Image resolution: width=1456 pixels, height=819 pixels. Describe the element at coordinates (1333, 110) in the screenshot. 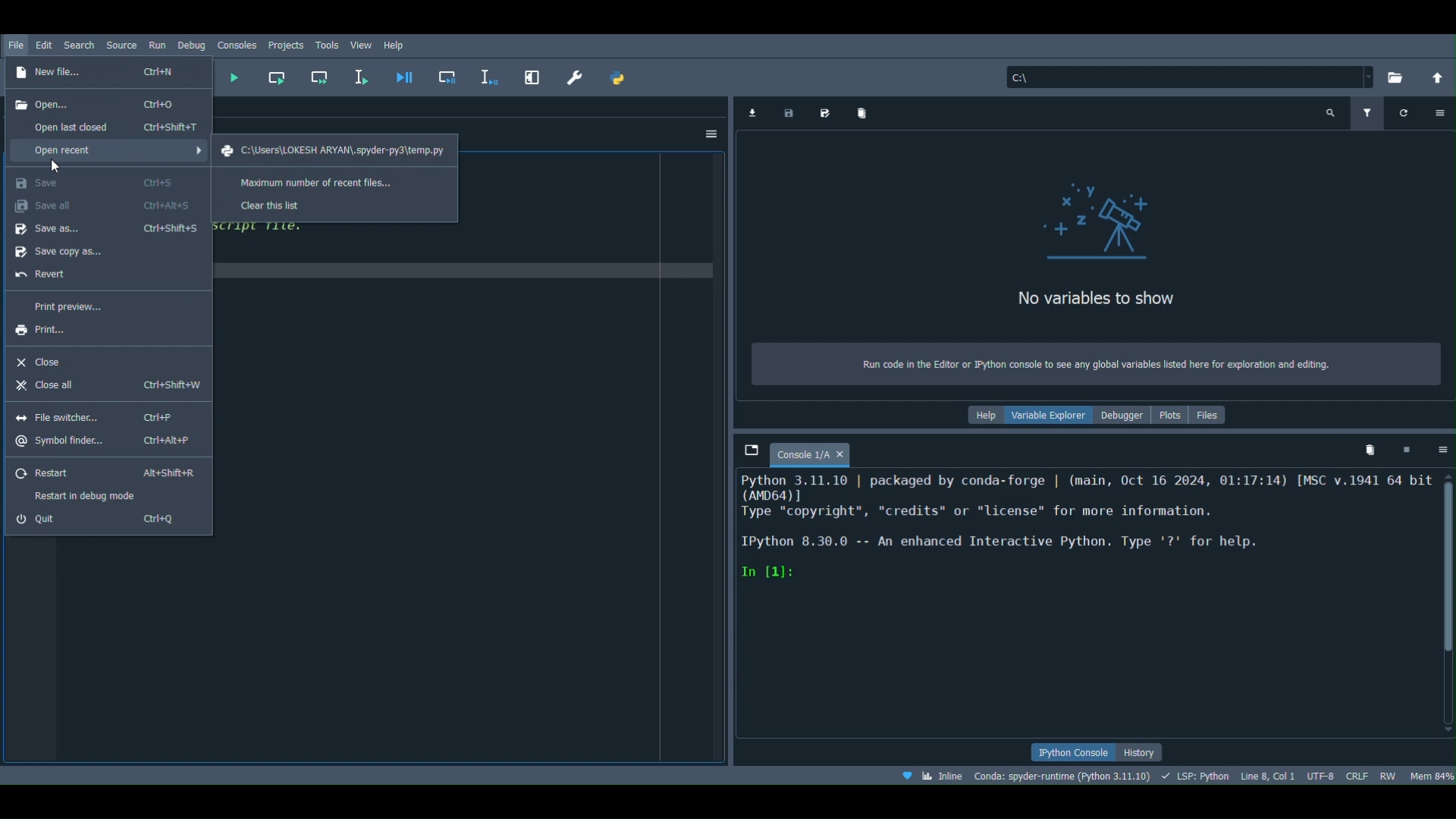

I see `Search variable names and types (Ctrl + F)` at that location.